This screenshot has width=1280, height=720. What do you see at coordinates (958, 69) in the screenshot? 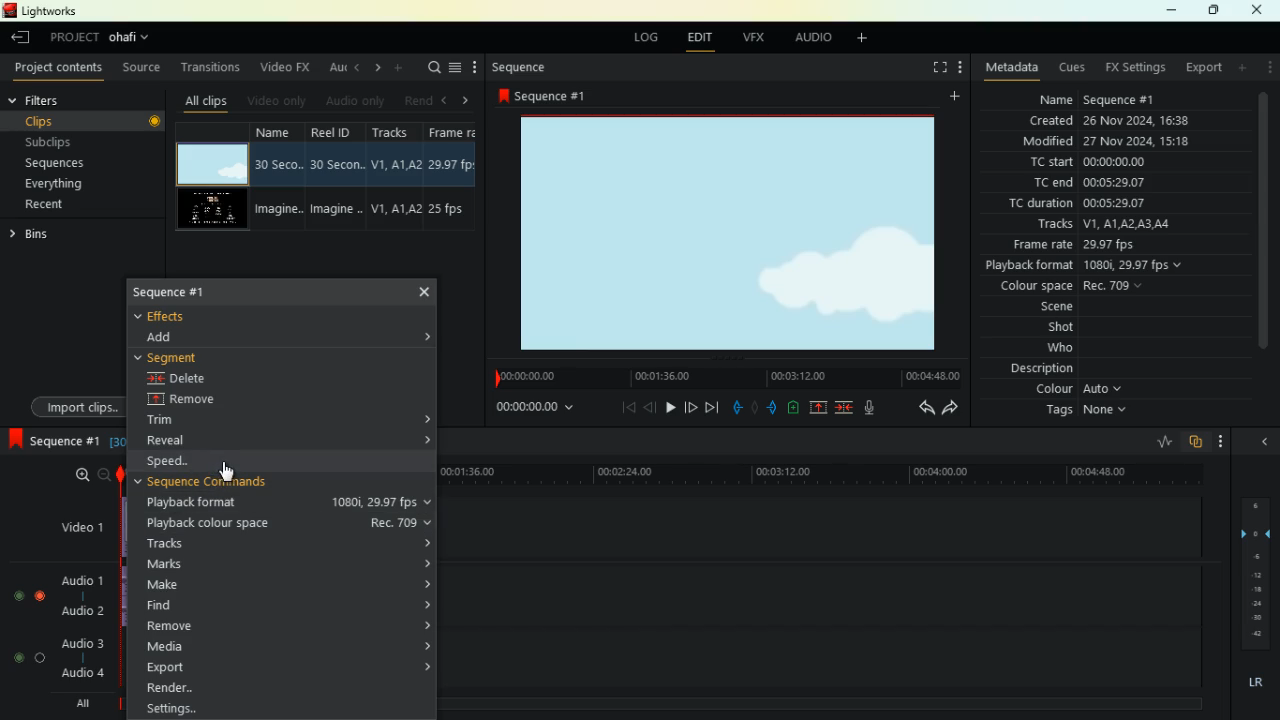
I see `more` at bounding box center [958, 69].